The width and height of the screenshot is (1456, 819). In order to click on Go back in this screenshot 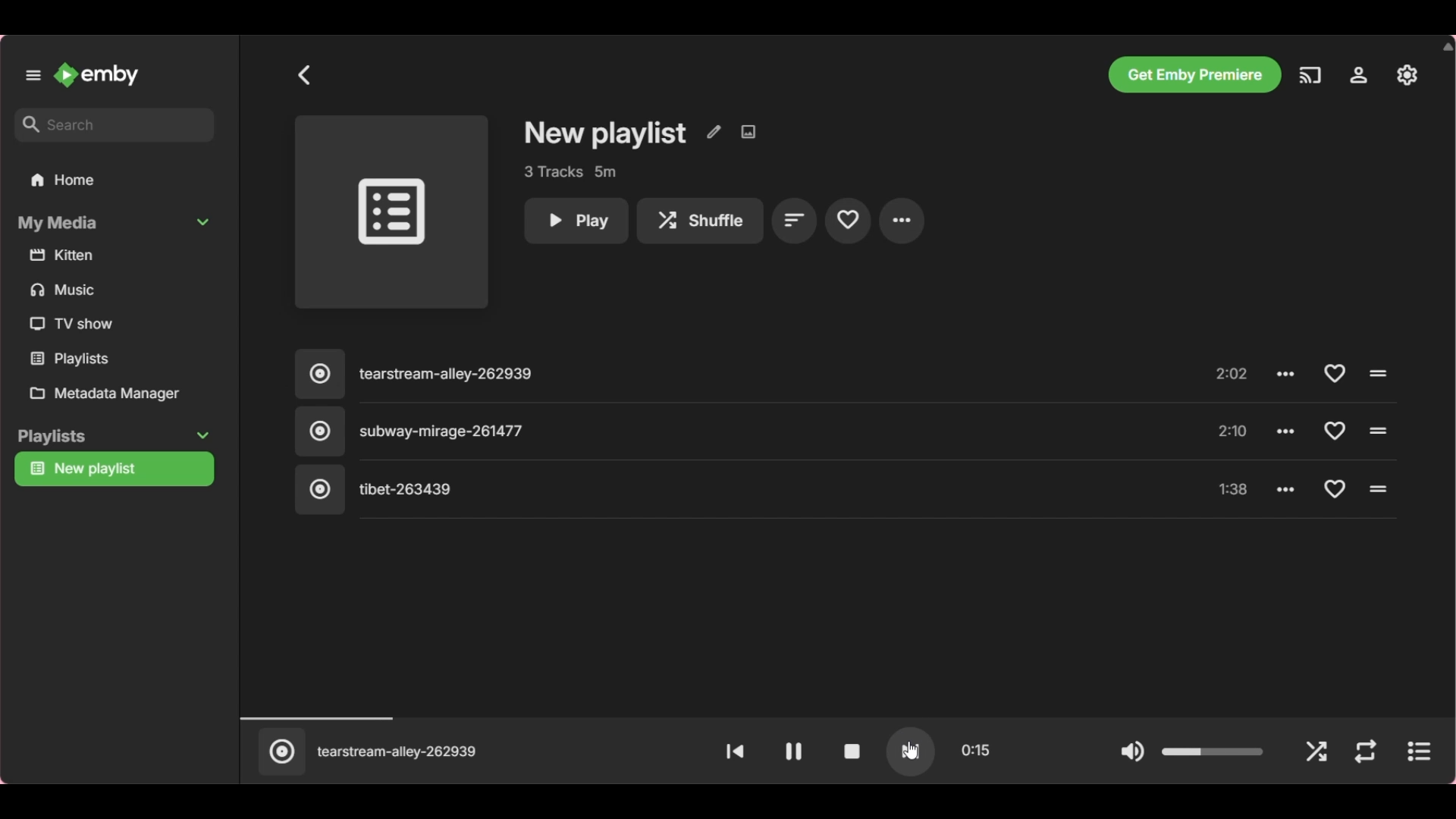, I will do `click(303, 74)`.